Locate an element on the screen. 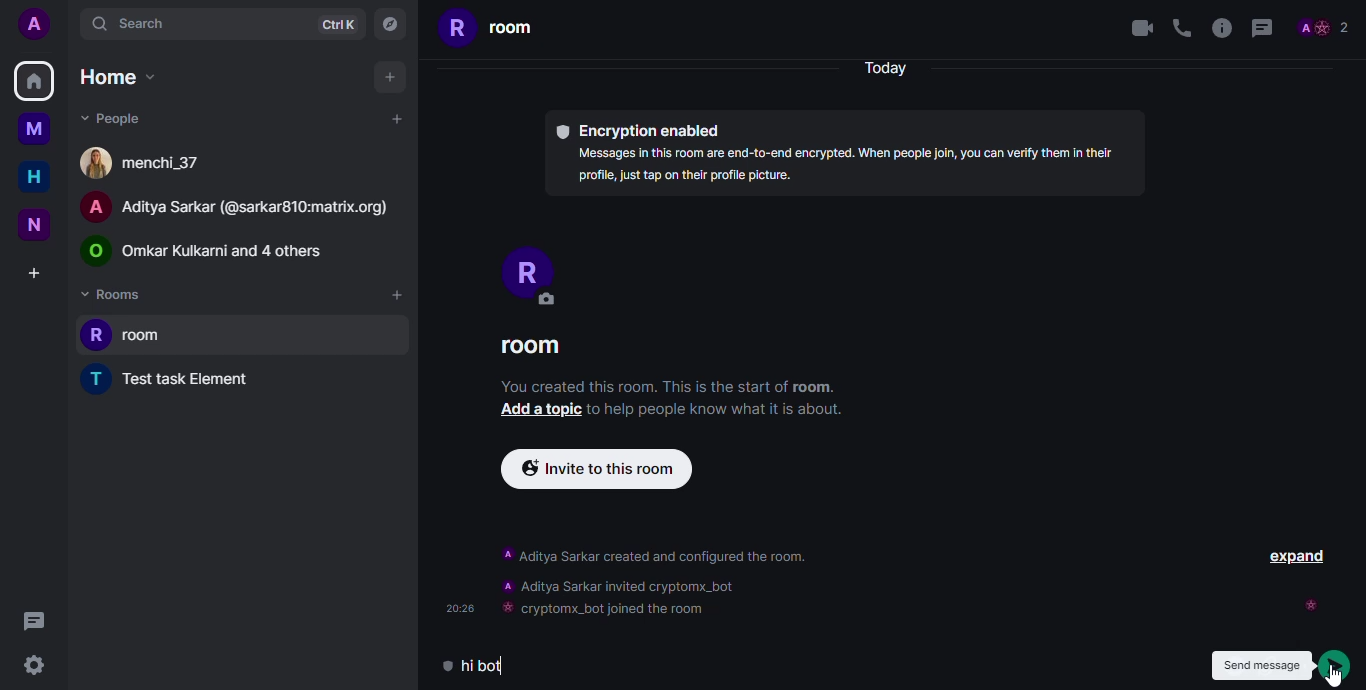 The height and width of the screenshot is (690, 1366). home is located at coordinates (33, 81).